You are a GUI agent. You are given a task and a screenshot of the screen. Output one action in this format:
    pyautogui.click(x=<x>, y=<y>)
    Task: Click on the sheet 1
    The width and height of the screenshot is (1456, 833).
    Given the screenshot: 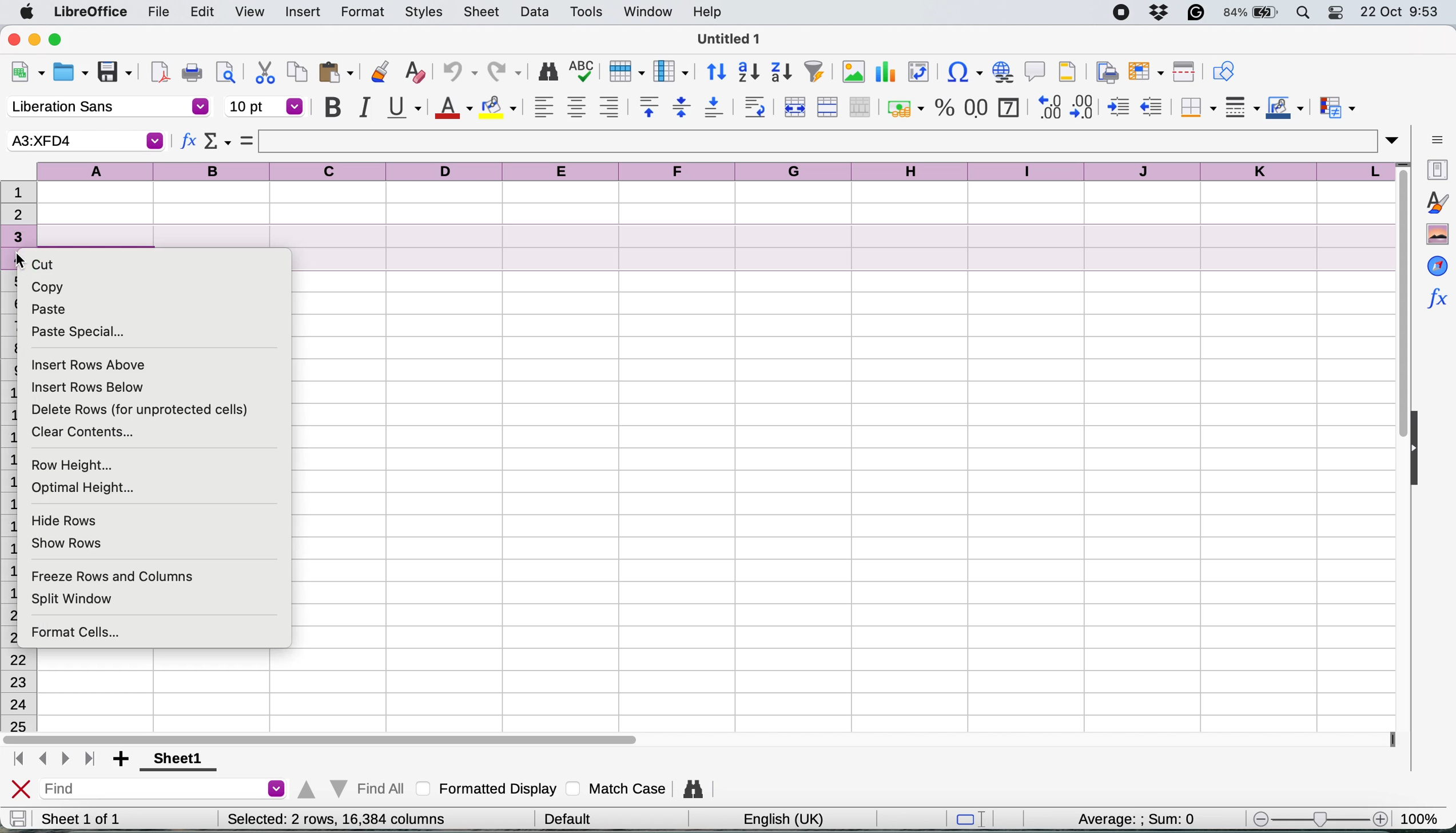 What is the action you would take?
    pyautogui.click(x=174, y=760)
    